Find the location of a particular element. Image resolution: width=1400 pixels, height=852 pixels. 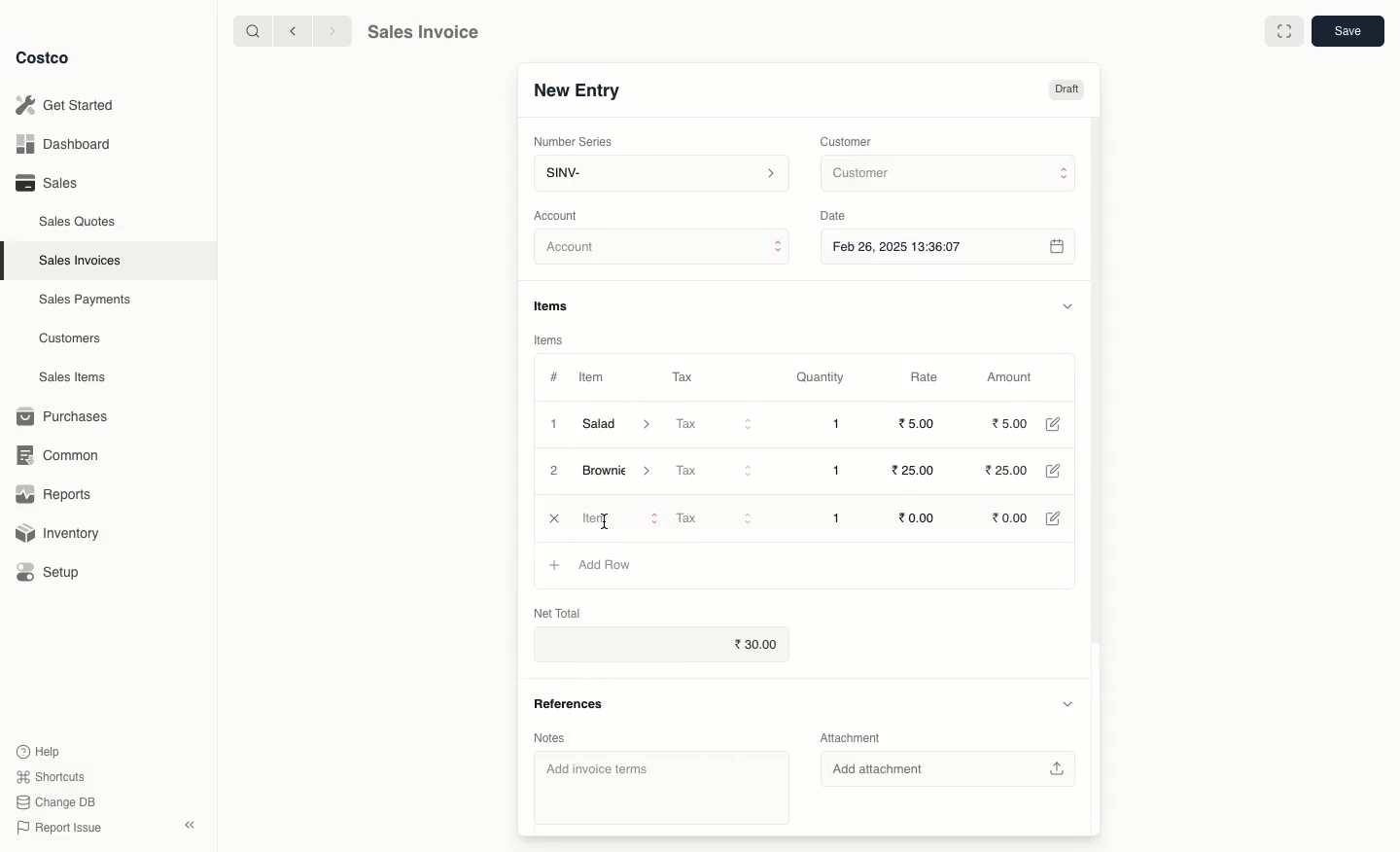

Feb 26, 2025 13:36:07 is located at coordinates (950, 246).